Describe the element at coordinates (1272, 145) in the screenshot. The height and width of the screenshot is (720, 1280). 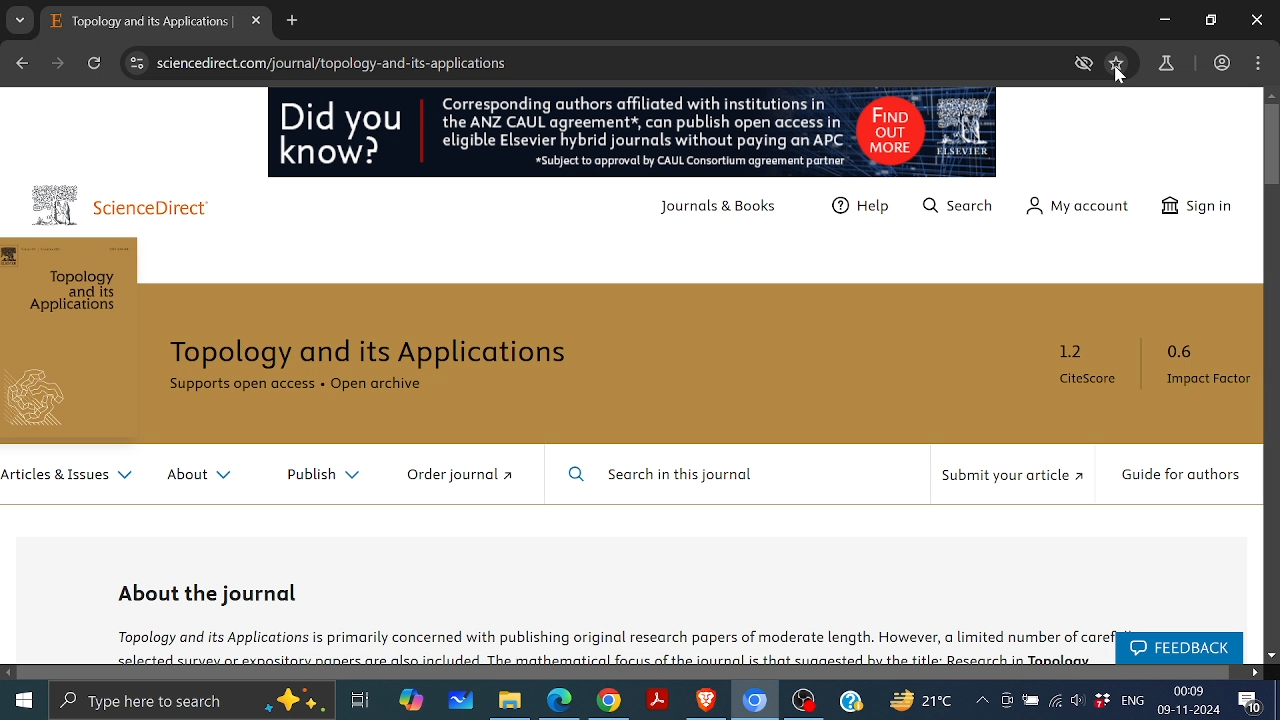
I see `Vertical scroll Bar` at that location.